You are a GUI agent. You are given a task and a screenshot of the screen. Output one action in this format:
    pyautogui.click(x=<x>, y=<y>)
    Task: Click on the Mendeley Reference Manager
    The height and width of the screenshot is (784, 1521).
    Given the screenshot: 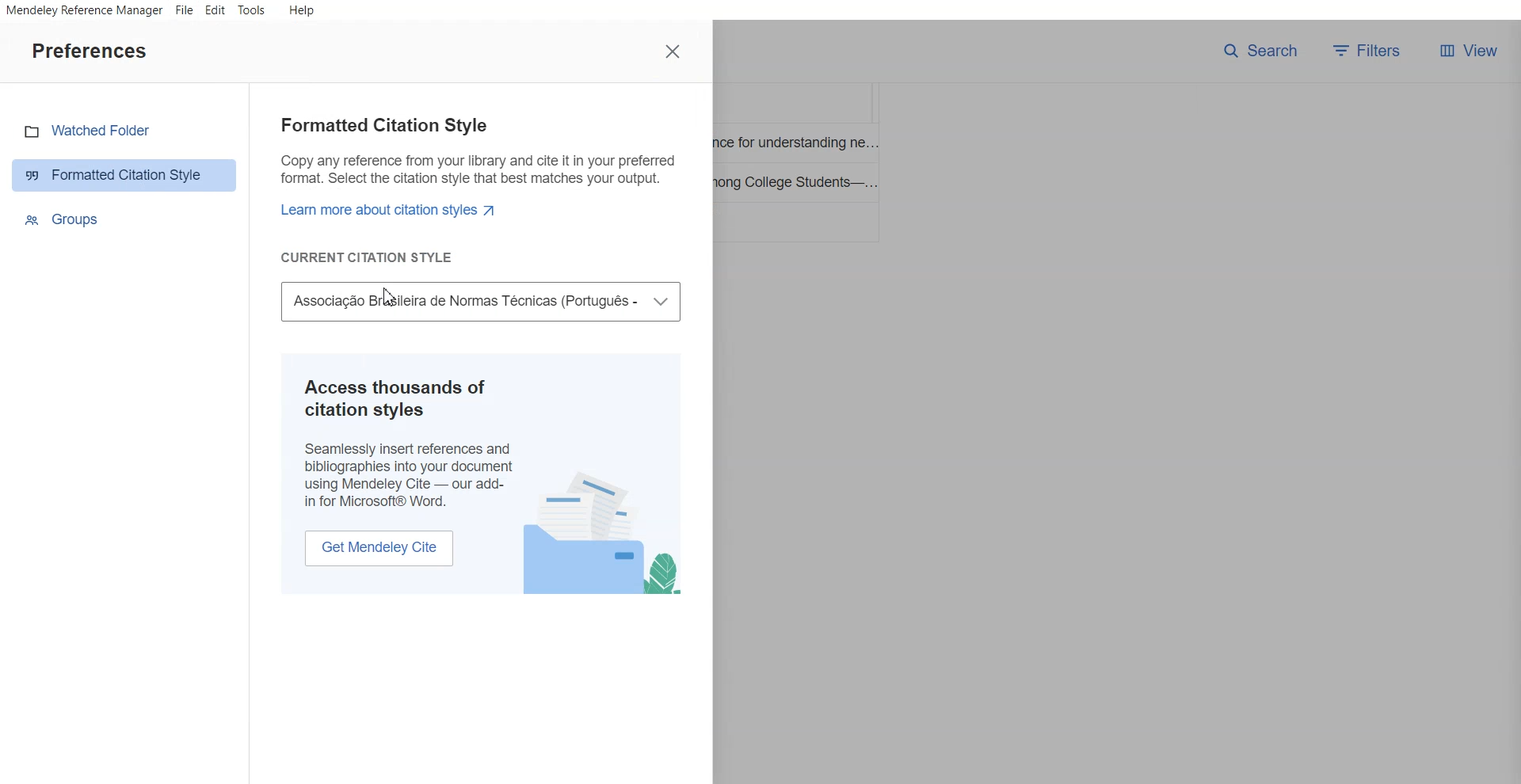 What is the action you would take?
    pyautogui.click(x=83, y=11)
    